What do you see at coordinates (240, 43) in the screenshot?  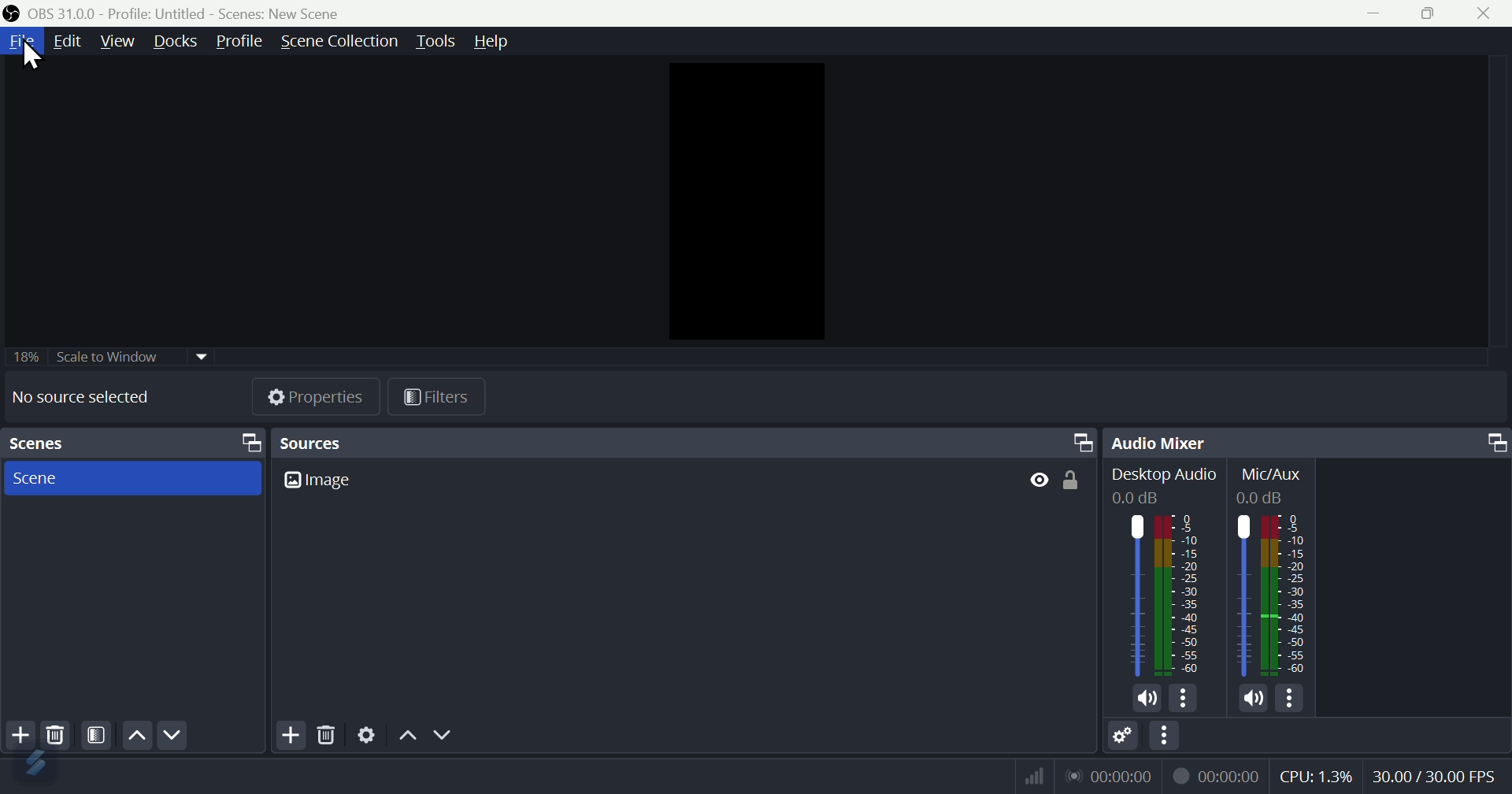 I see `Profile` at bounding box center [240, 43].